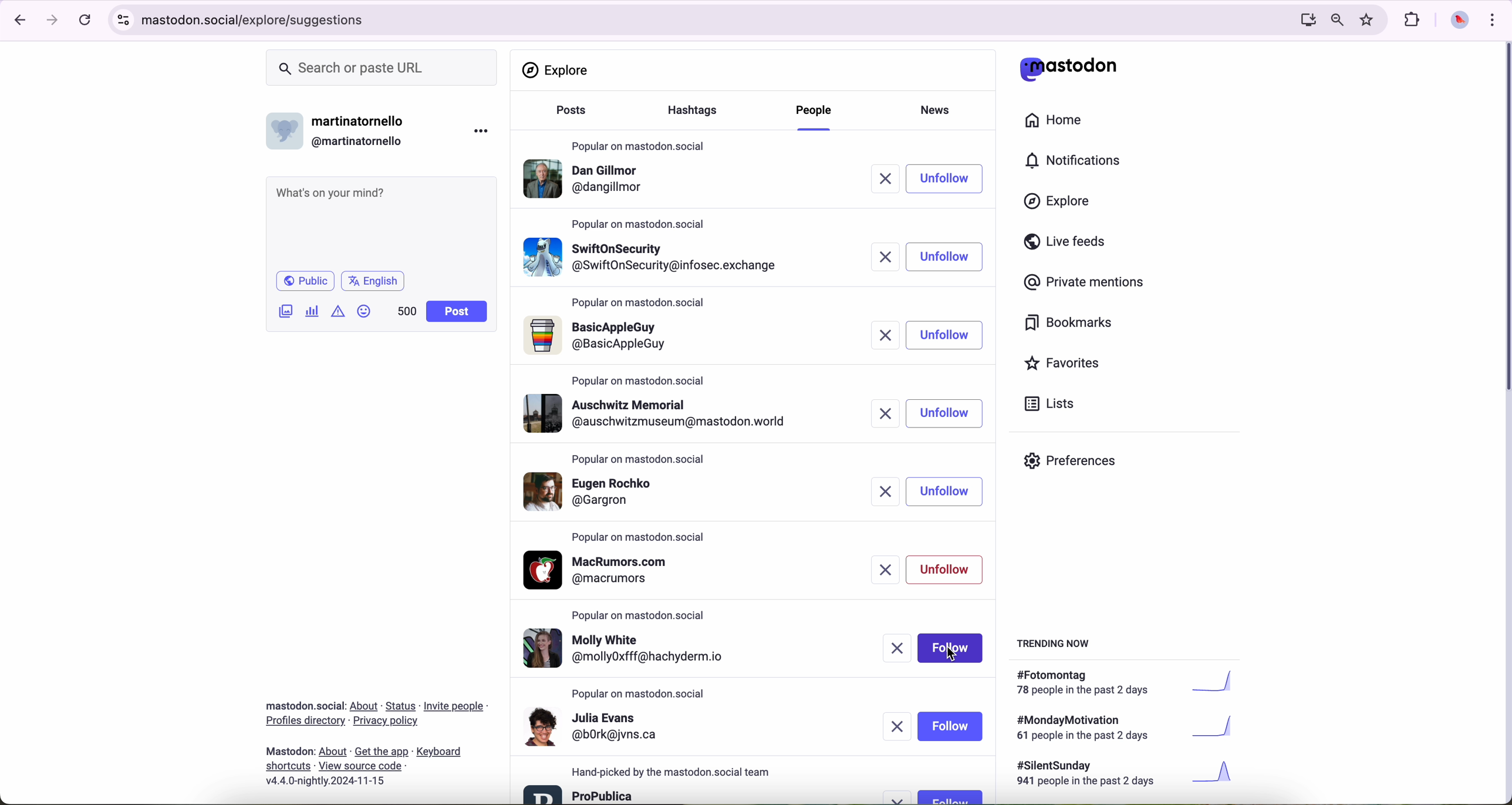 This screenshot has height=805, width=1512. What do you see at coordinates (376, 739) in the screenshot?
I see `about` at bounding box center [376, 739].